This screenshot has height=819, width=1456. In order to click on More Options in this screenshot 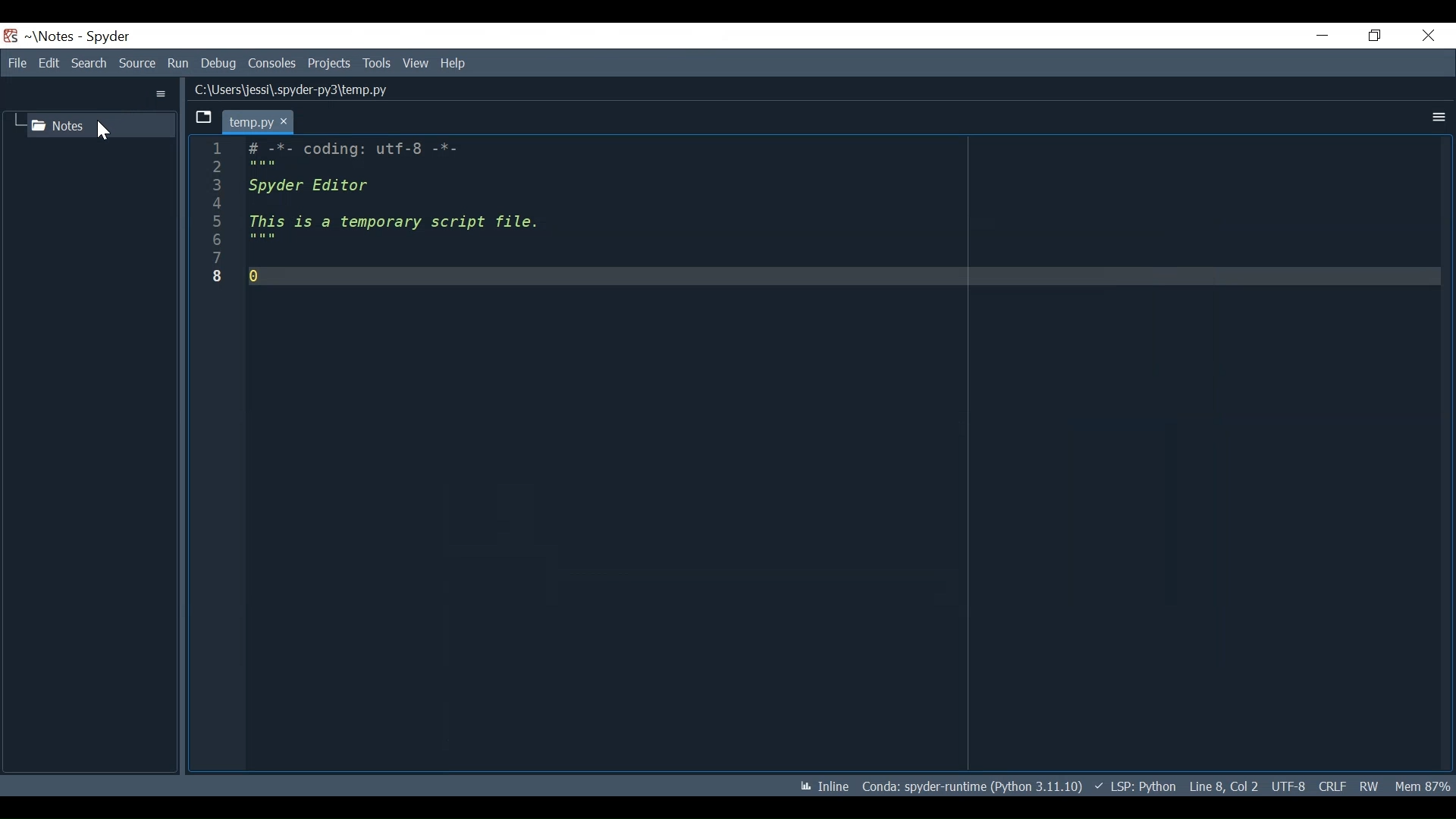, I will do `click(162, 95)`.